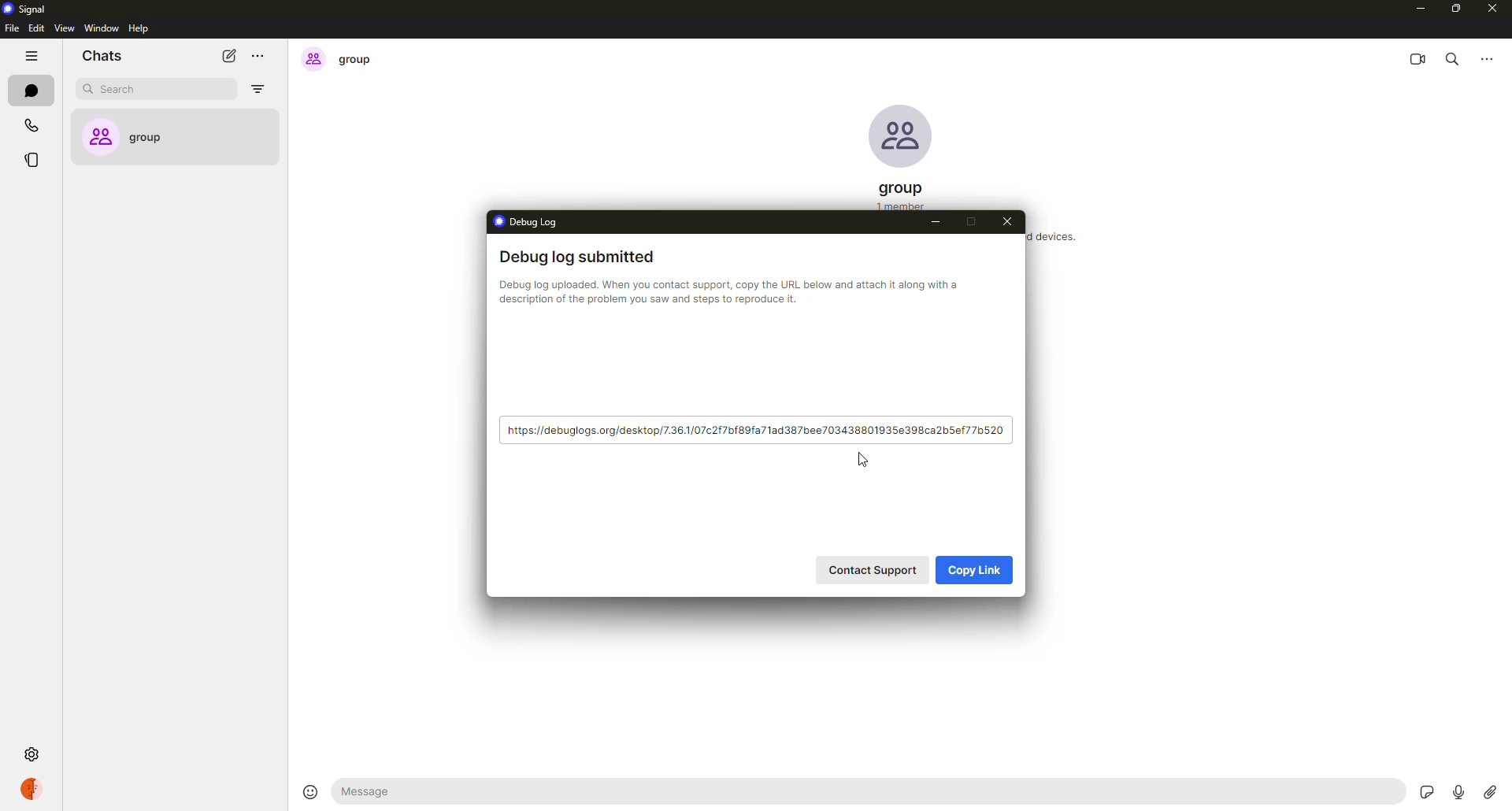  I want to click on signal, so click(29, 7).